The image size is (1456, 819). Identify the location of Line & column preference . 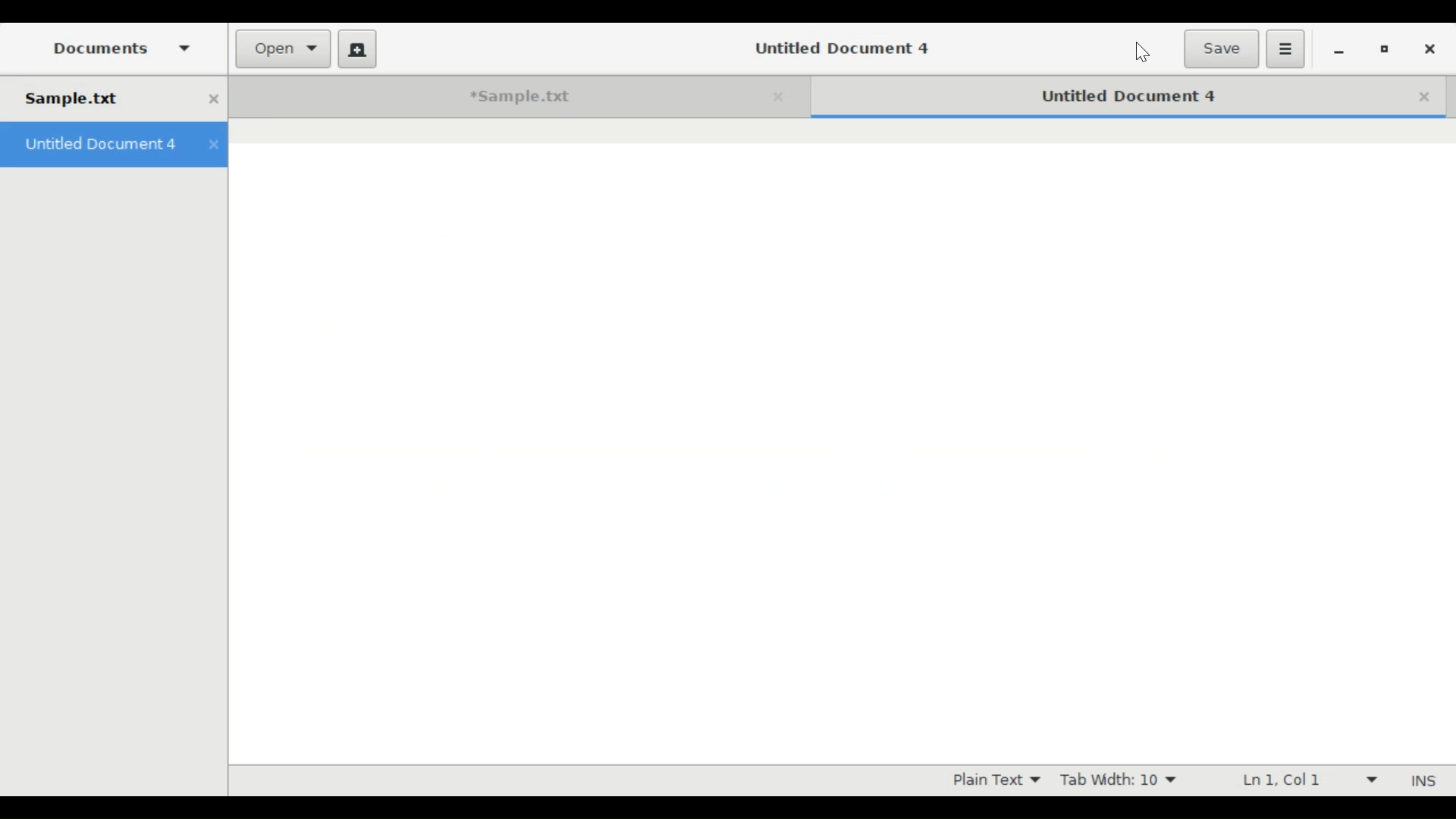
(1304, 780).